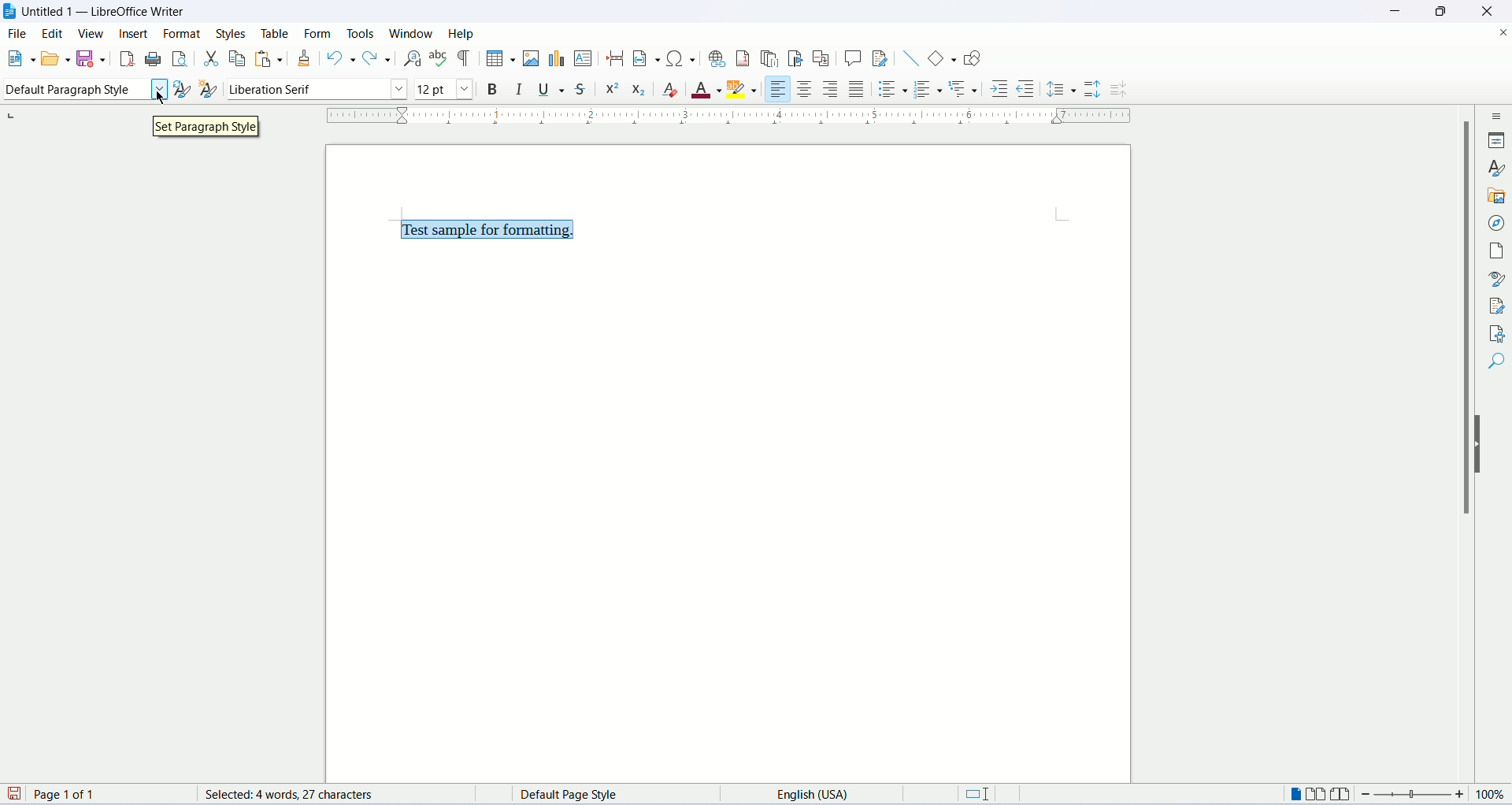 This screenshot has width=1512, height=805. What do you see at coordinates (305, 57) in the screenshot?
I see `clone formatting` at bounding box center [305, 57].